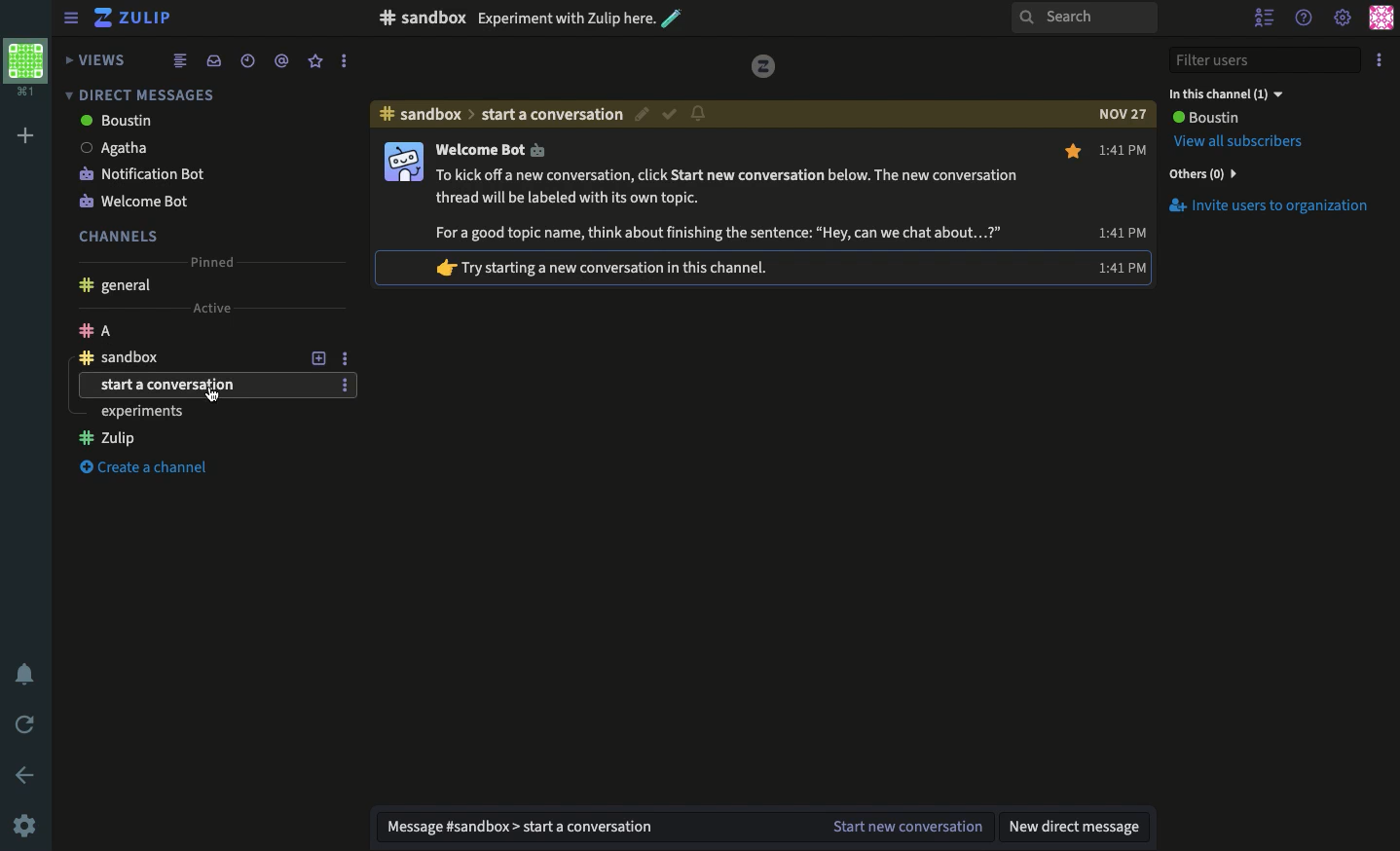 Image resolution: width=1400 pixels, height=851 pixels. I want to click on Add a topic, so click(318, 332).